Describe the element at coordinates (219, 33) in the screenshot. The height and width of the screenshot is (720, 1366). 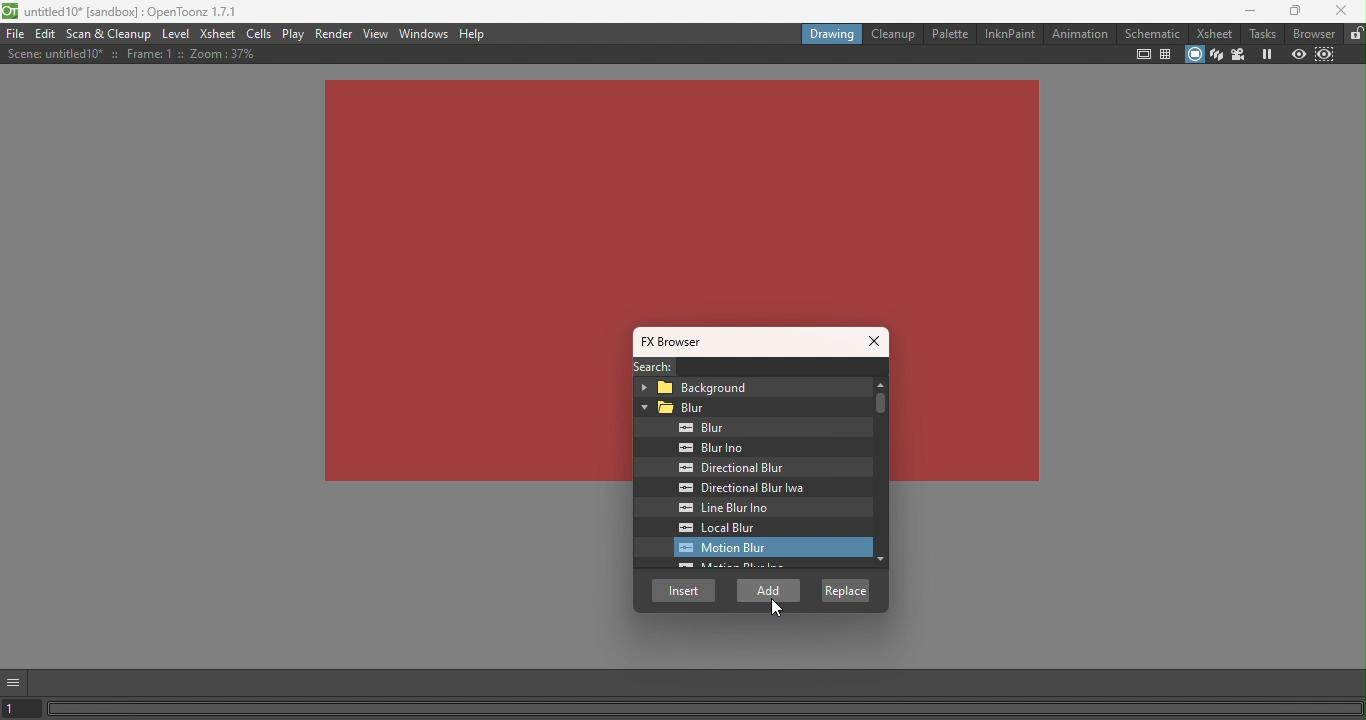
I see `Xsheet` at that location.